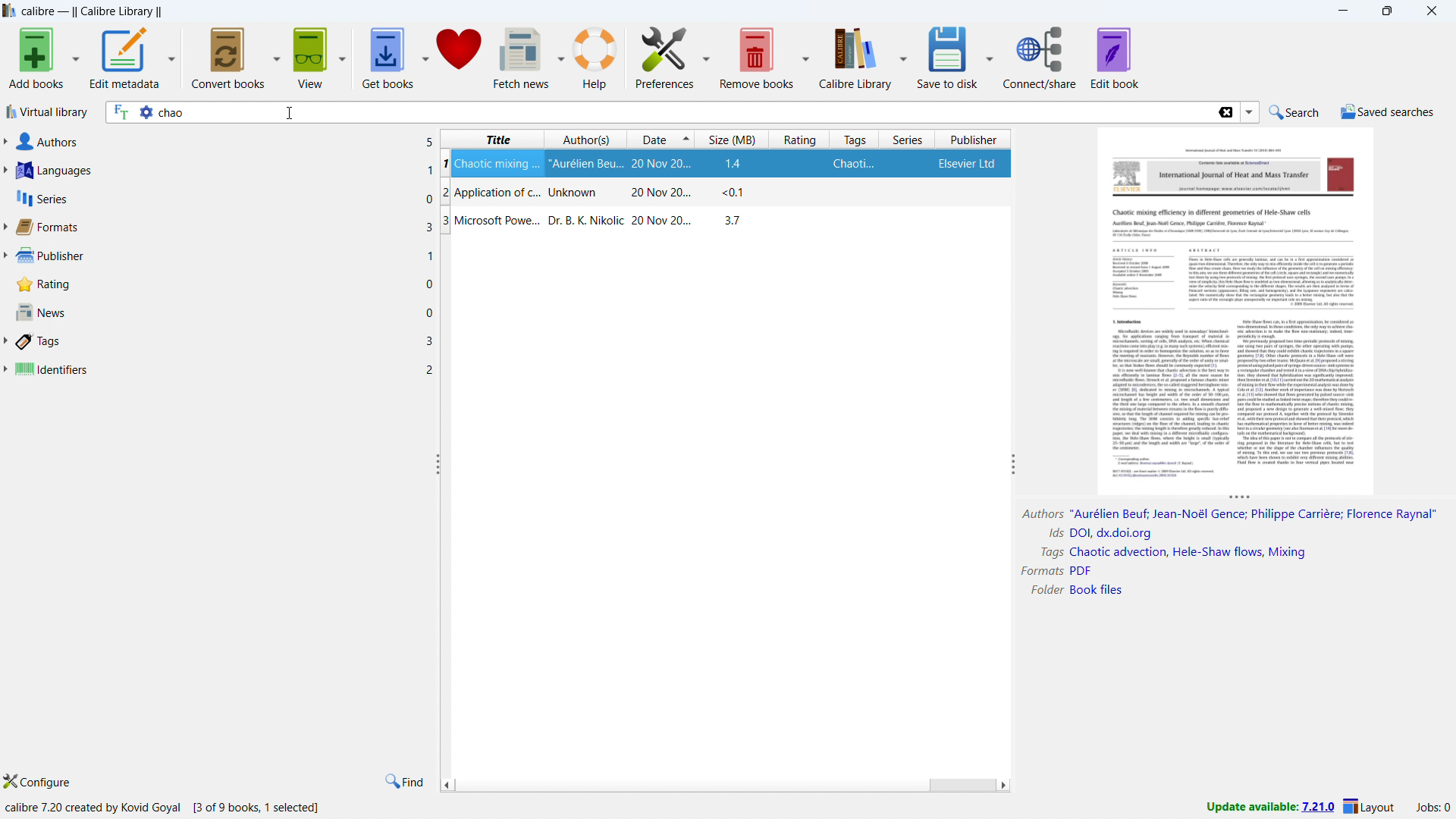  Describe the element at coordinates (962, 784) in the screenshot. I see `scrollbar` at that location.